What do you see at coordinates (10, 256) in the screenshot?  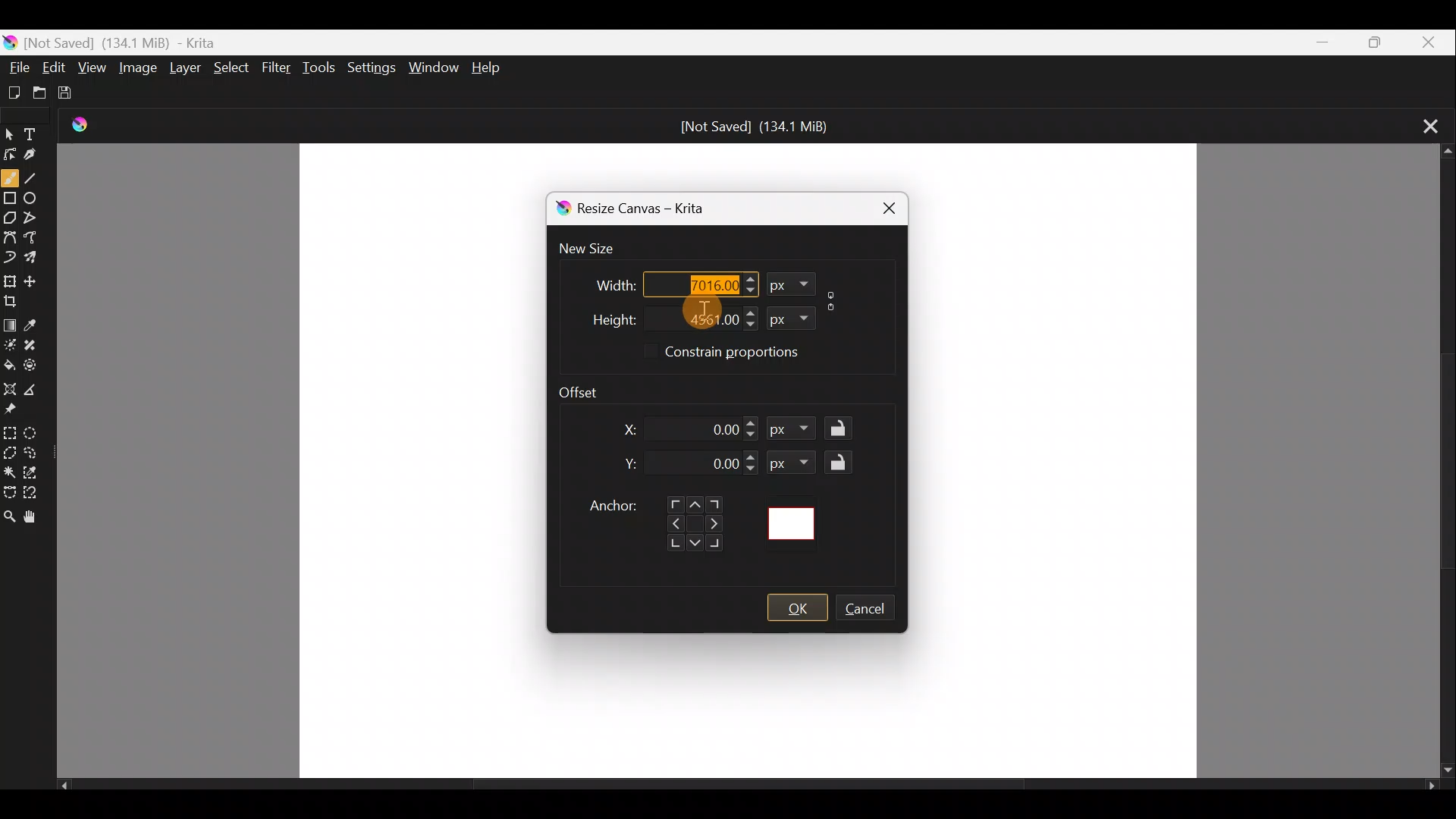 I see `Dynamic brush tool` at bounding box center [10, 256].